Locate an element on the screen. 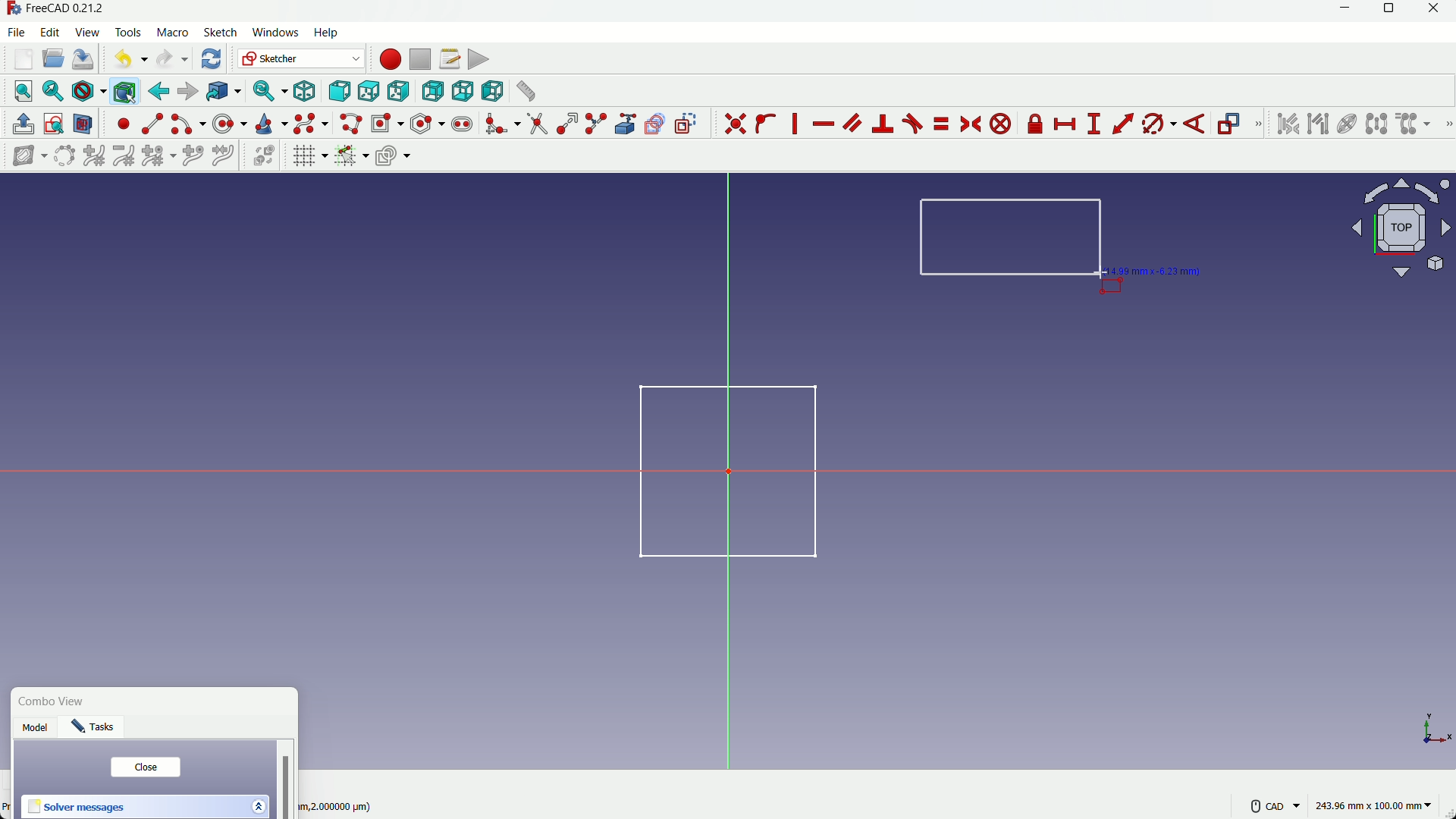 This screenshot has width=1456, height=819. constraint tangent is located at coordinates (913, 124).